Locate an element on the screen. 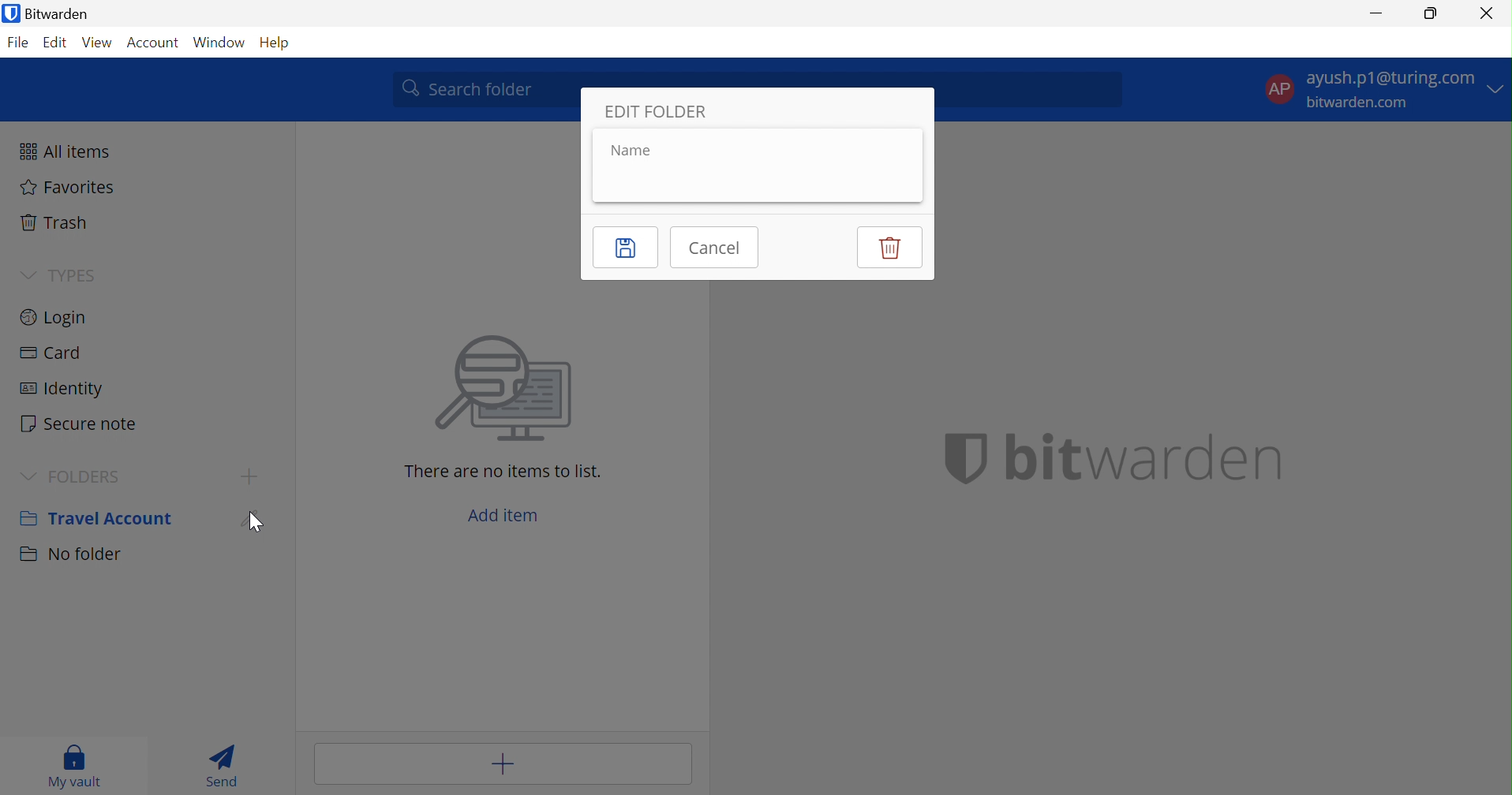 This screenshot has height=795, width=1512. Window is located at coordinates (219, 41).